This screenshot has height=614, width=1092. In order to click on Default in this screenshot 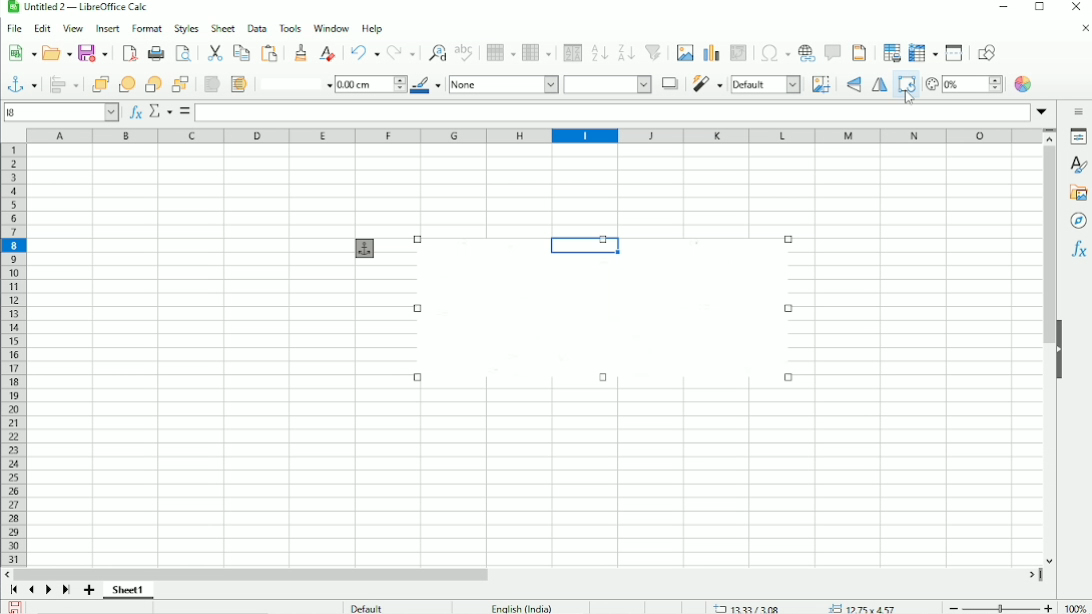, I will do `click(367, 607)`.